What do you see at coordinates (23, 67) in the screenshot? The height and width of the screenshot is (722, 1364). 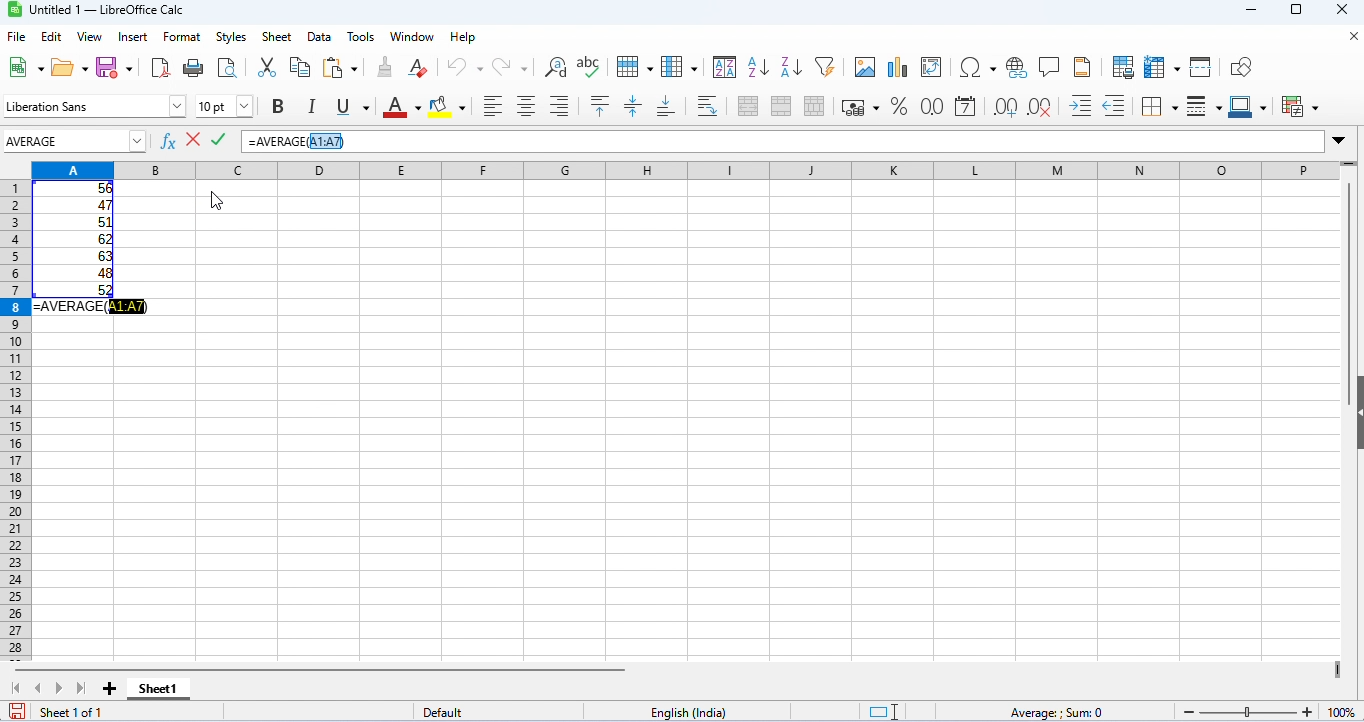 I see `new` at bounding box center [23, 67].